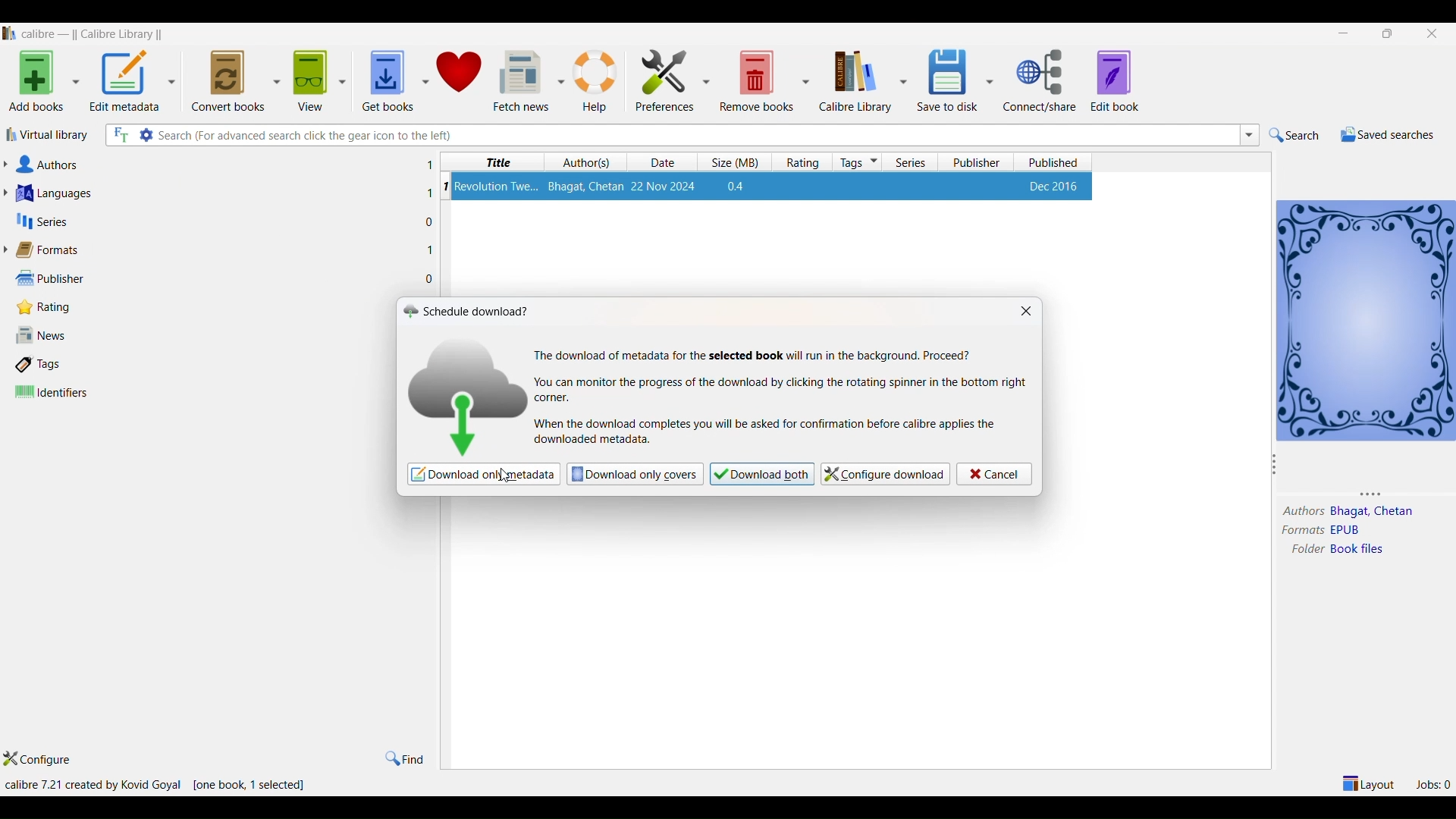  Describe the element at coordinates (1250, 136) in the screenshot. I see `search dropdown button` at that location.